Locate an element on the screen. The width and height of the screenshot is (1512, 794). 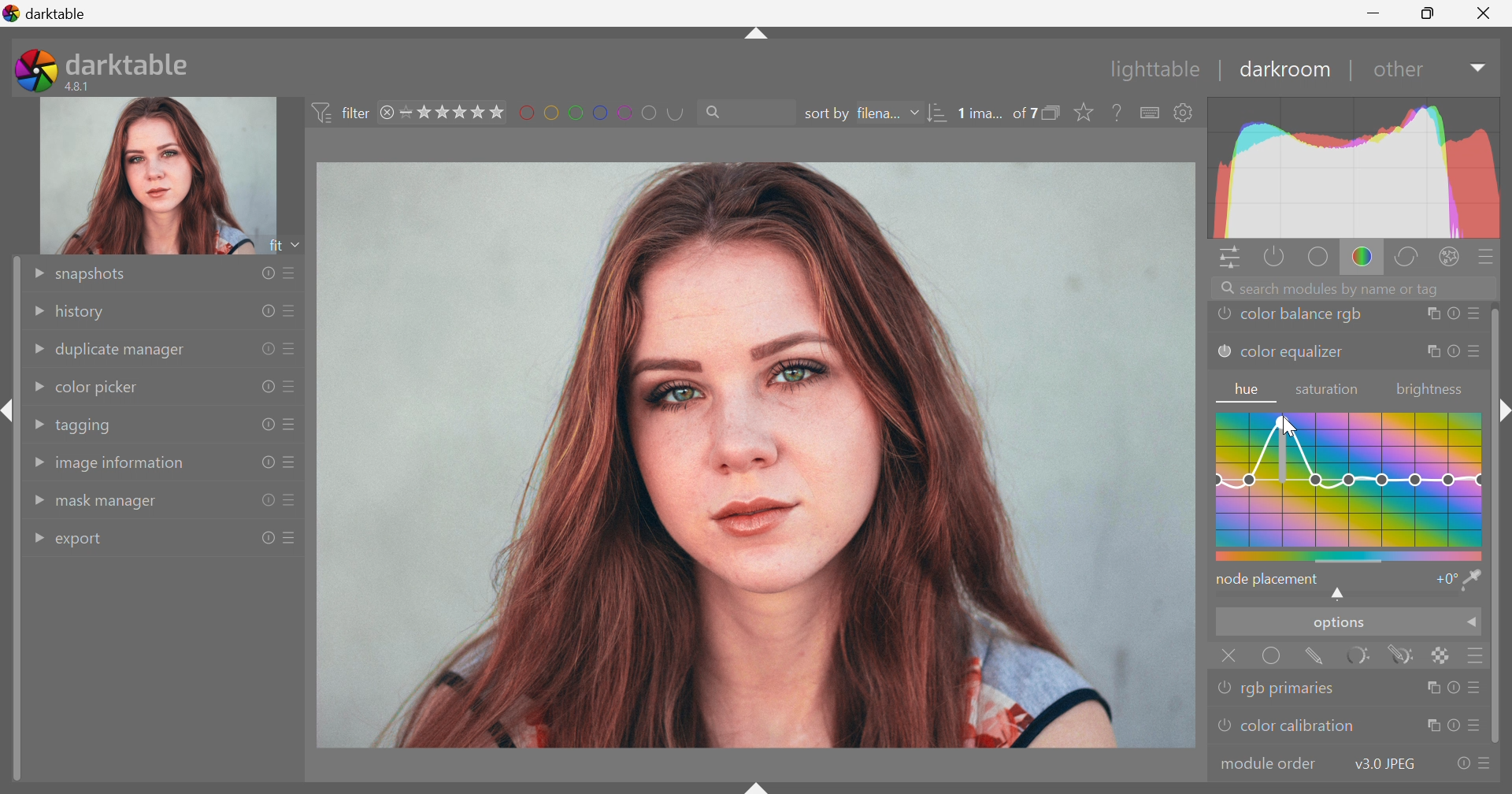
reset is located at coordinates (265, 347).